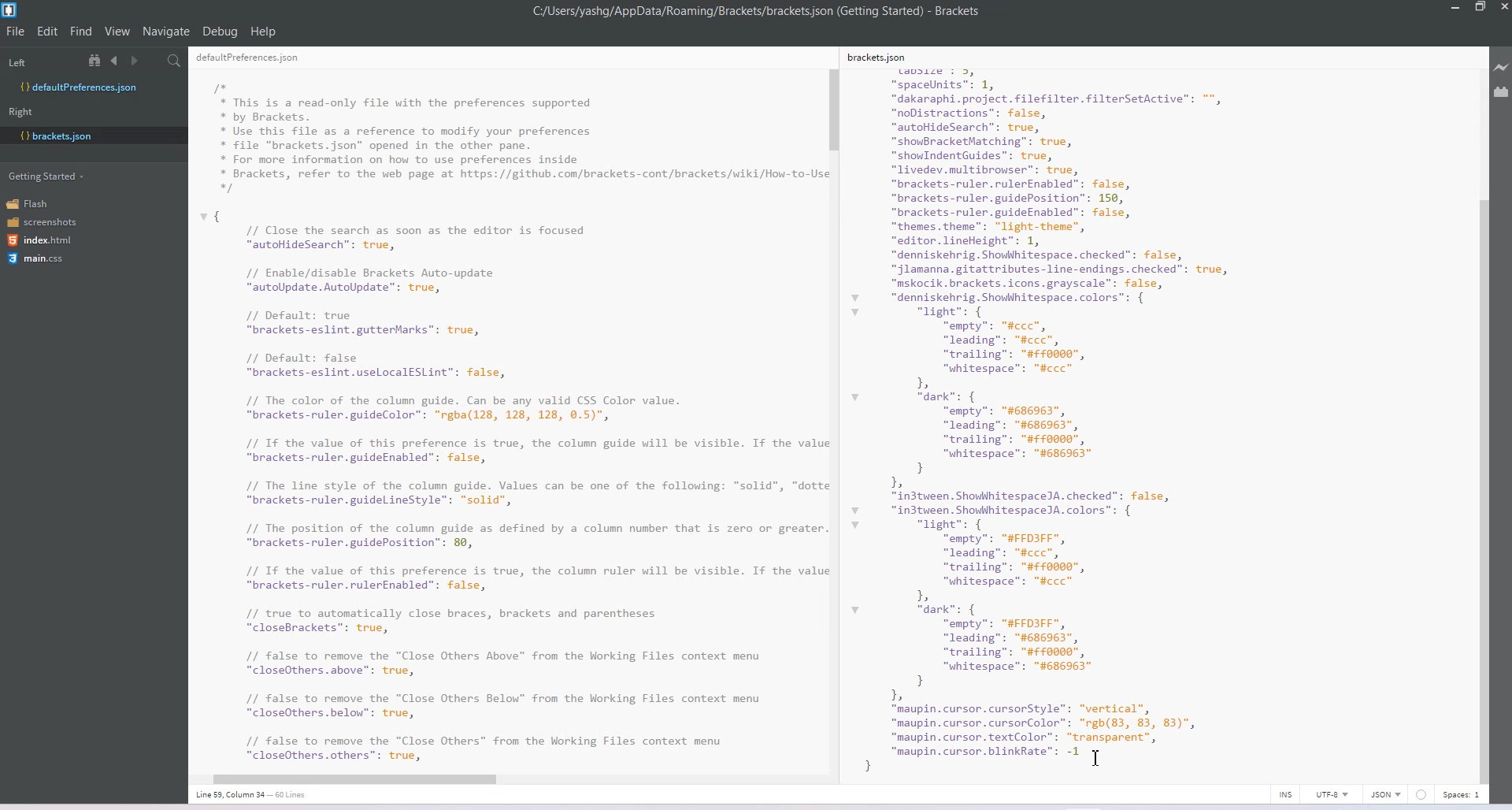 The height and width of the screenshot is (810, 1512). Describe the element at coordinates (43, 223) in the screenshot. I see `screenshots` at that location.